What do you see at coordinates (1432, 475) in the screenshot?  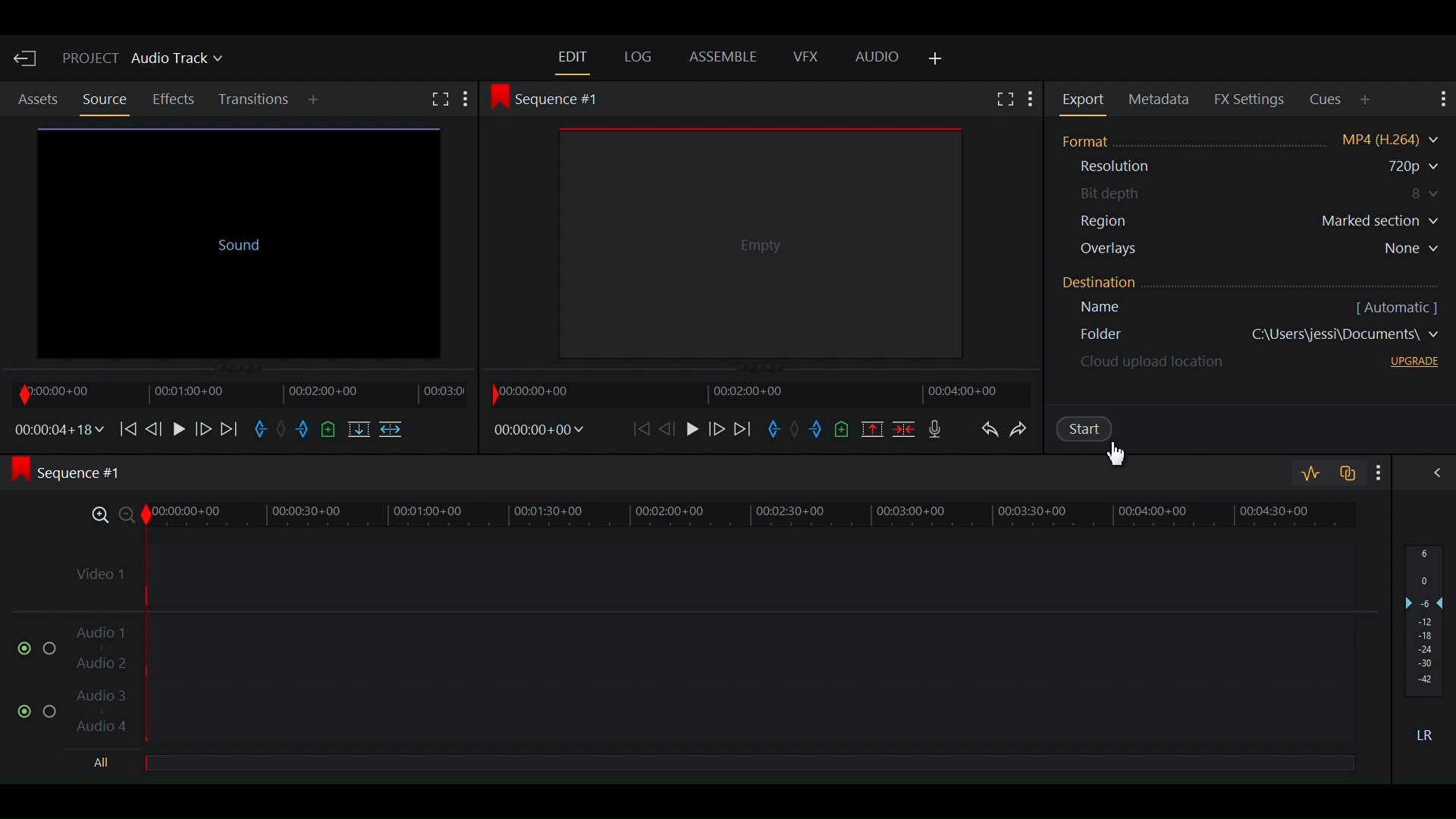 I see `Show/Hide the Full audio mix` at bounding box center [1432, 475].